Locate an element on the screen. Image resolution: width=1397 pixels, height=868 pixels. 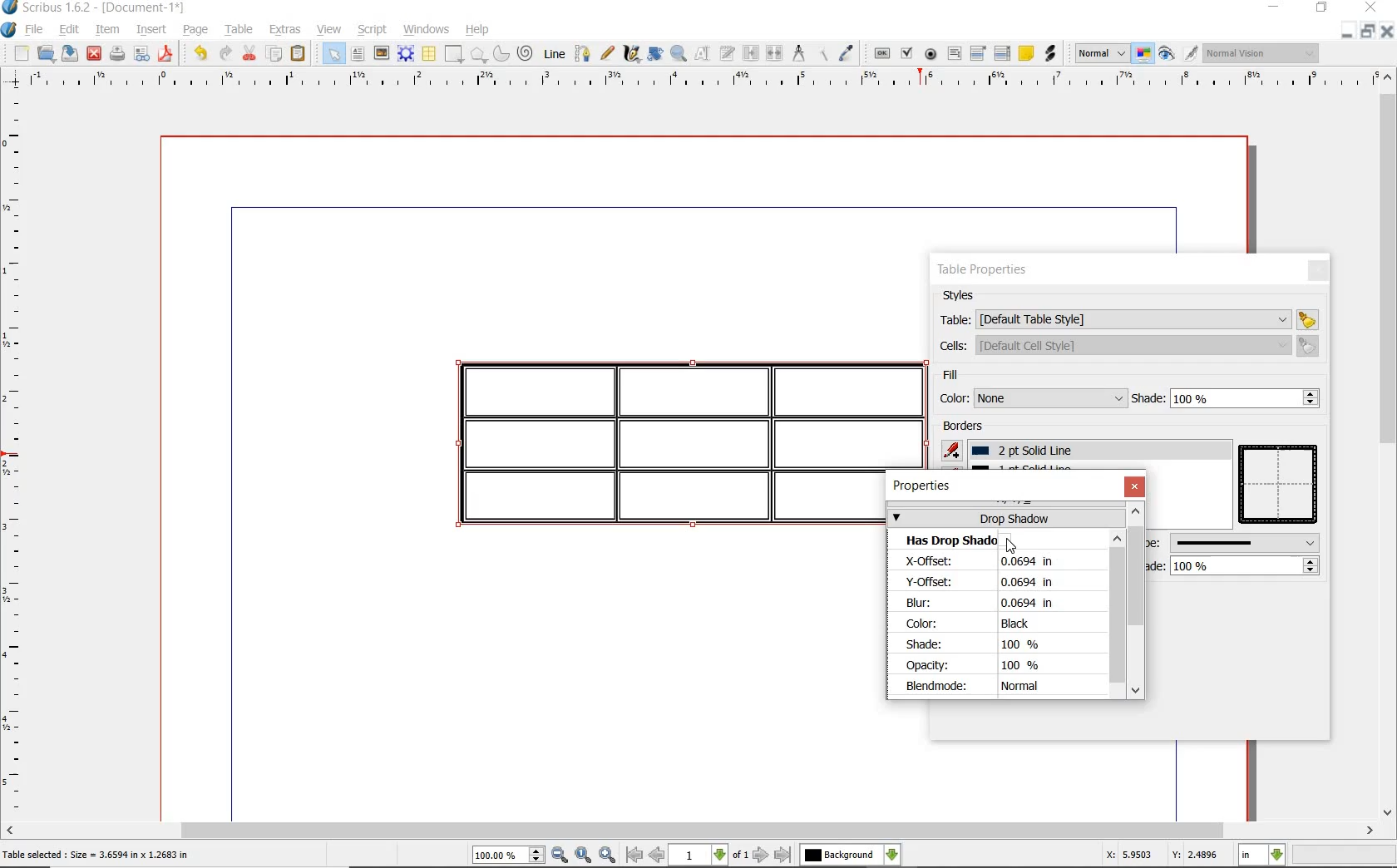
go to last page is located at coordinates (784, 854).